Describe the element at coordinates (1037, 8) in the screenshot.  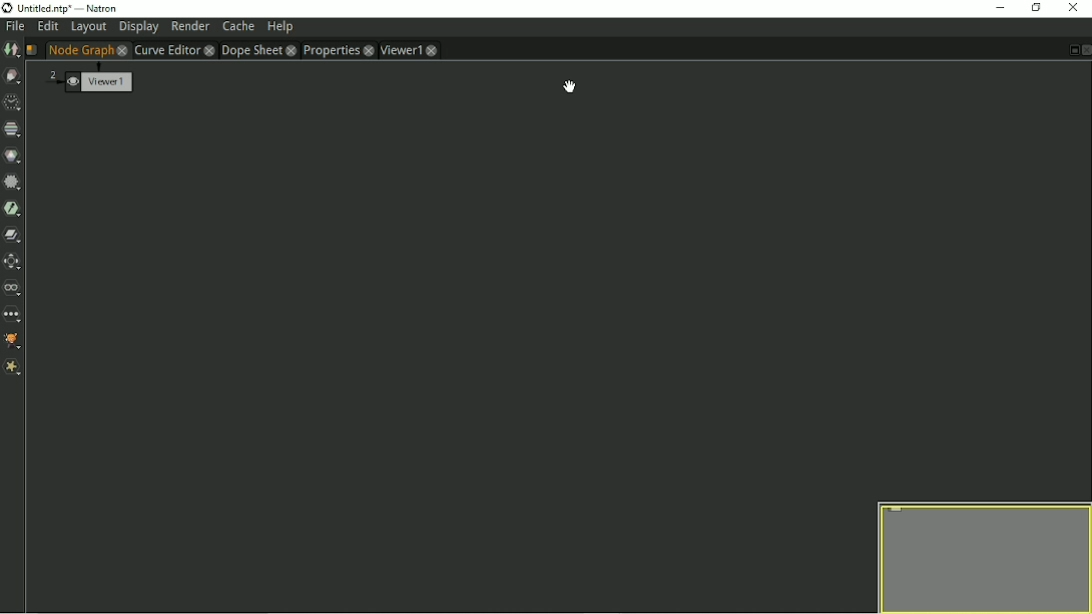
I see `Restore down` at that location.